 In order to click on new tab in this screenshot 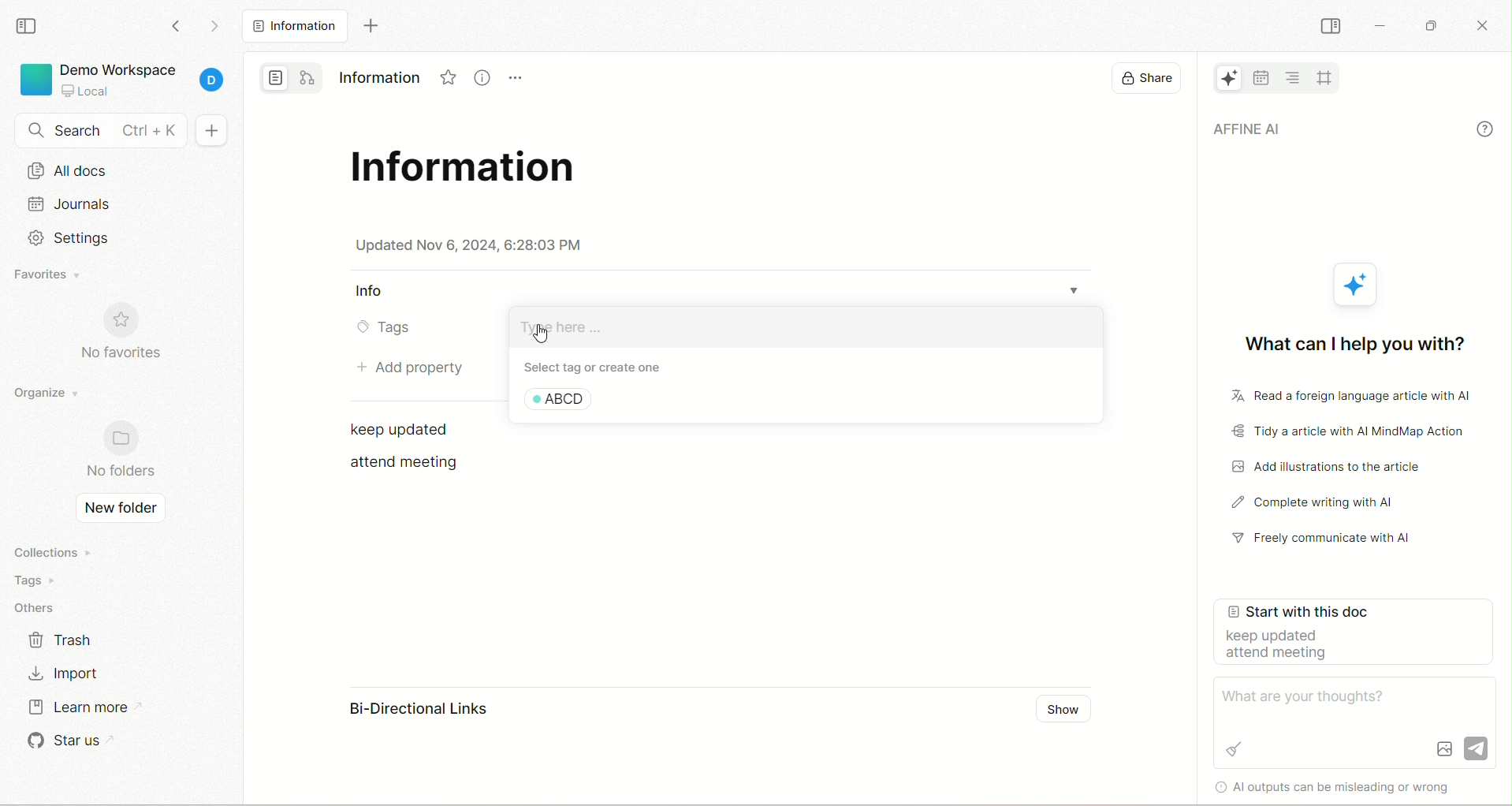, I will do `click(369, 27)`.